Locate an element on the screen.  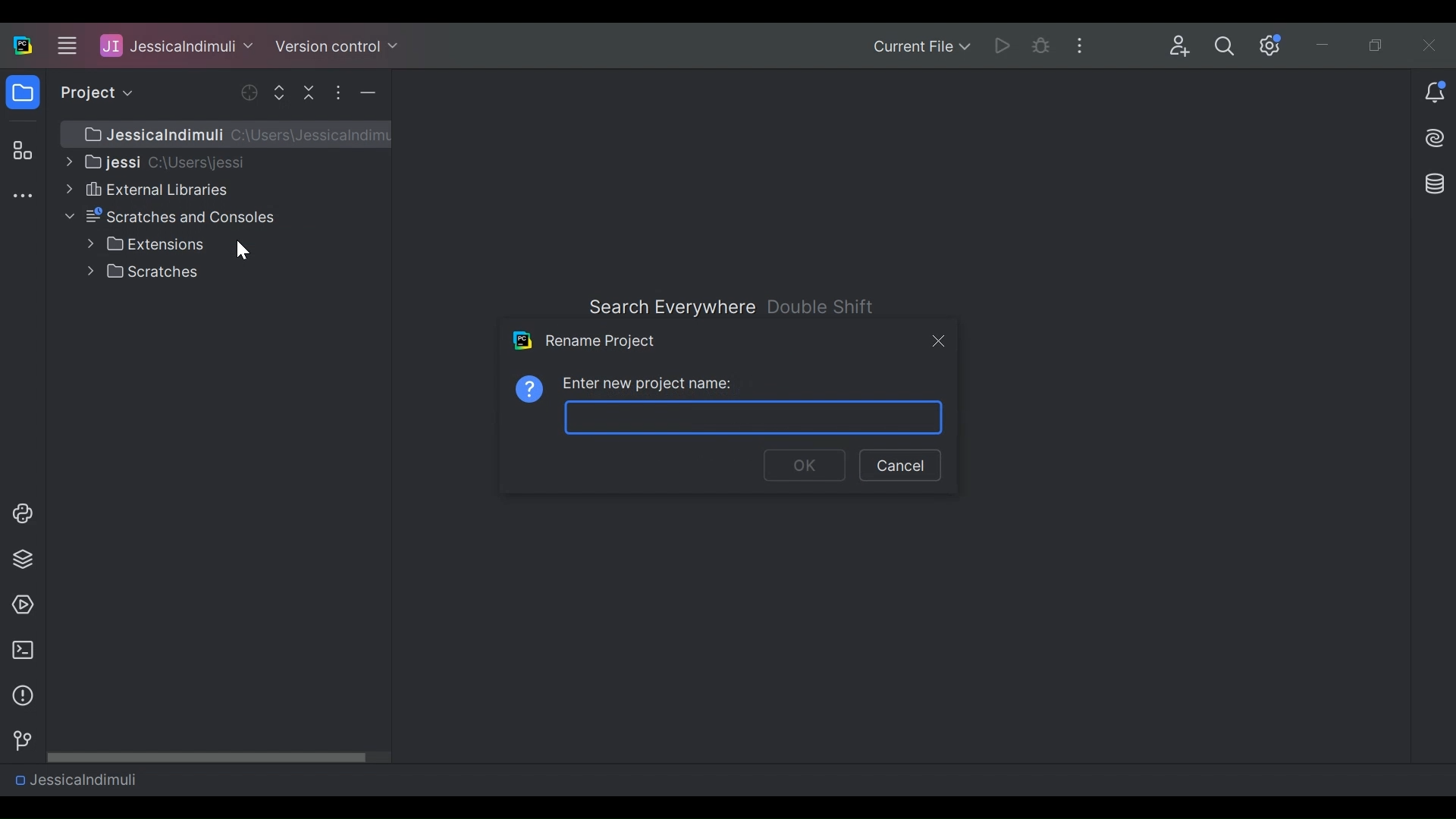
Hide is located at coordinates (368, 93).